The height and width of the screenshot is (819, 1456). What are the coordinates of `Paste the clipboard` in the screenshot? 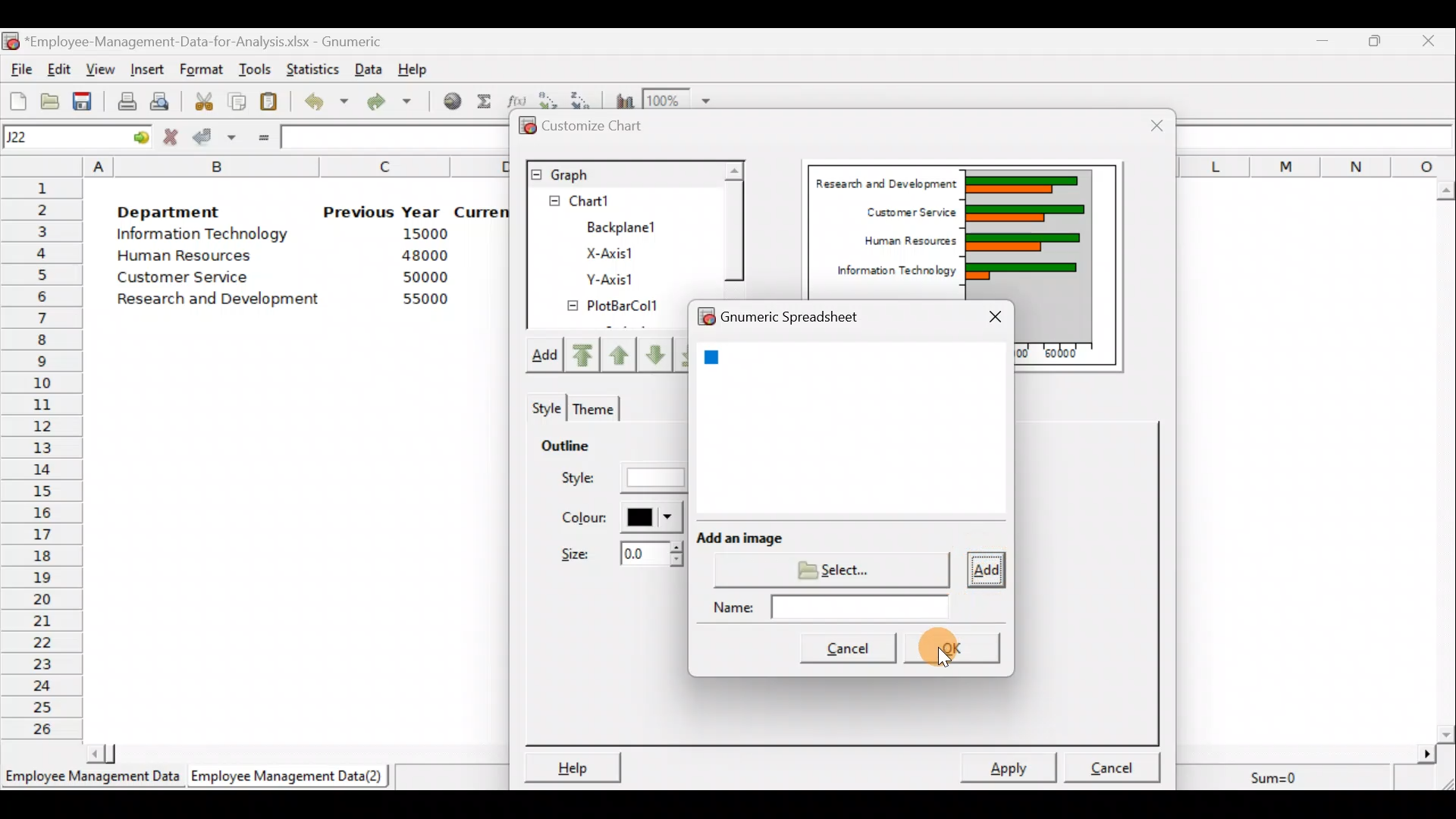 It's located at (273, 103).